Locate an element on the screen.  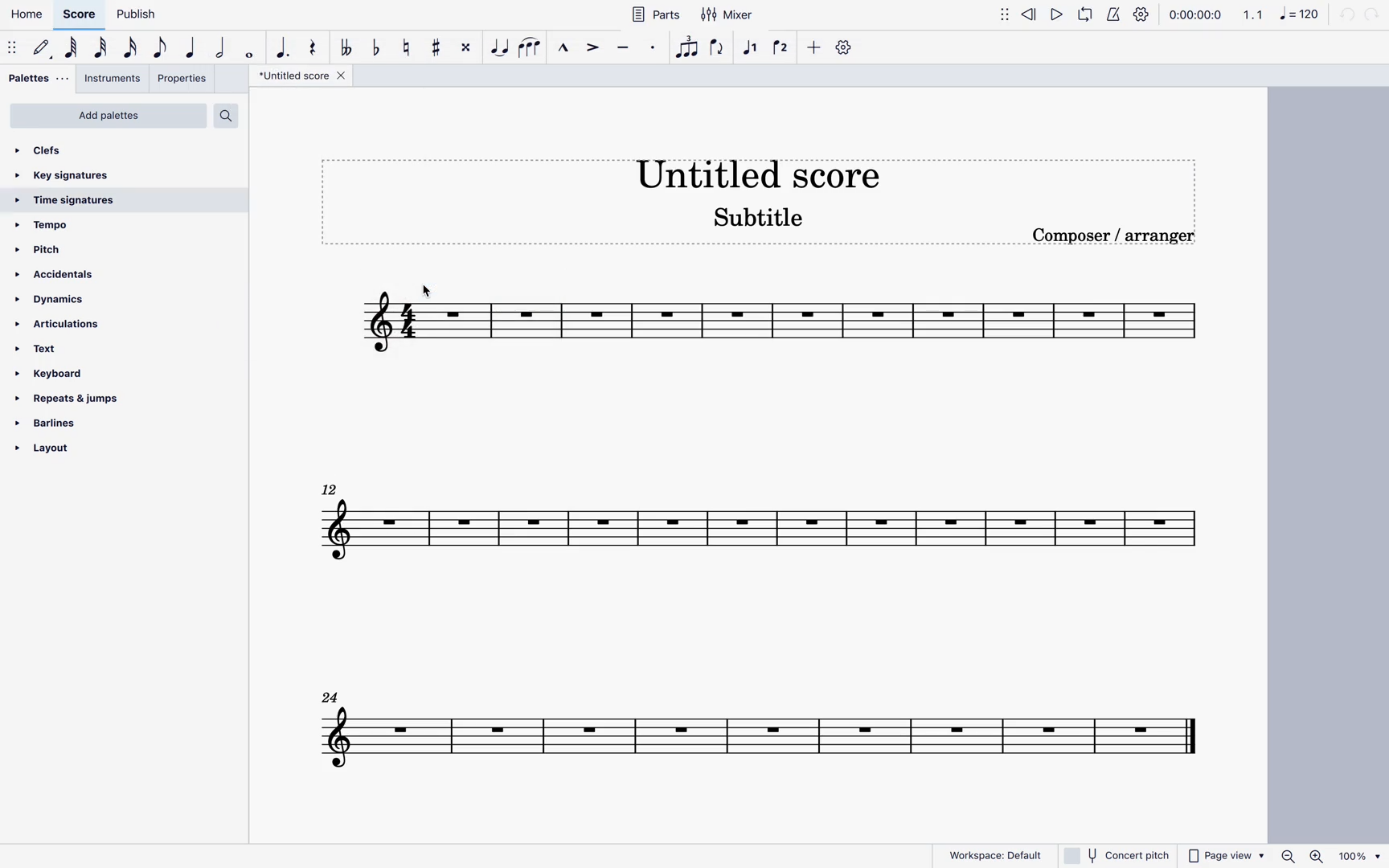
toggle natural is located at coordinates (402, 50).